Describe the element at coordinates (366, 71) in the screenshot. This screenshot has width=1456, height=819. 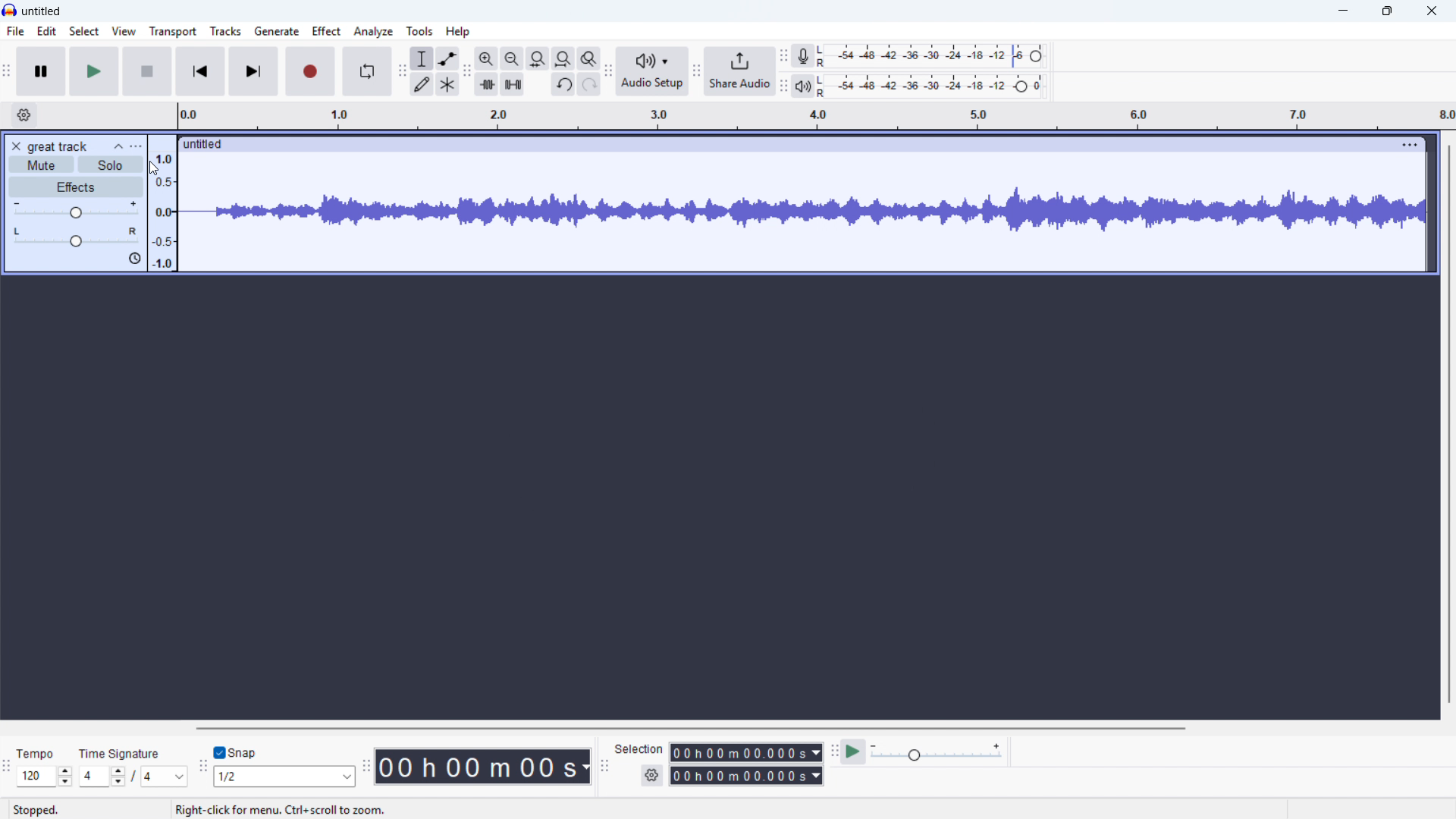
I see `Enable looping ` at that location.